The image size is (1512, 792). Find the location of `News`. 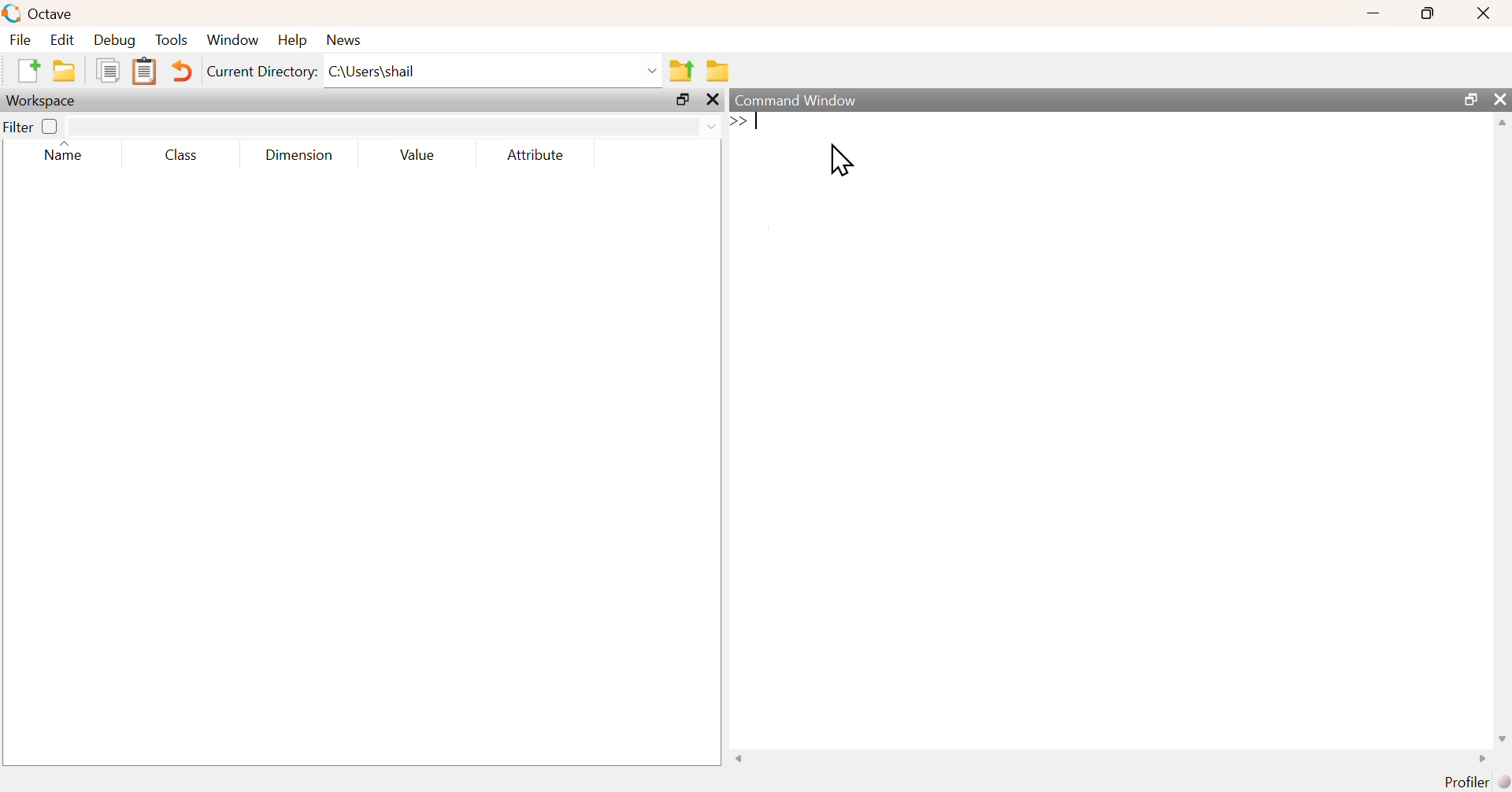

News is located at coordinates (346, 39).